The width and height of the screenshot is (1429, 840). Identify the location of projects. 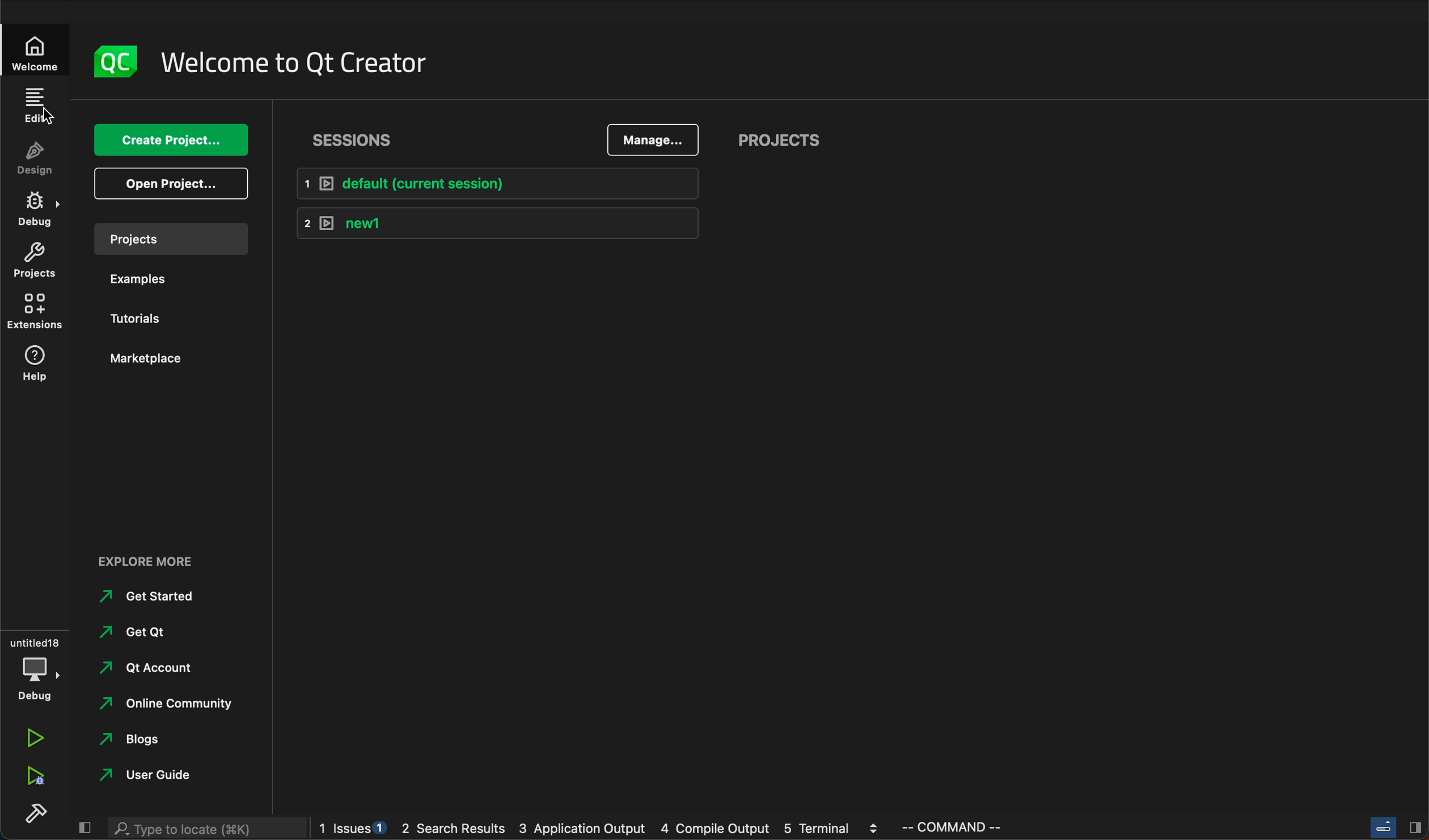
(175, 240).